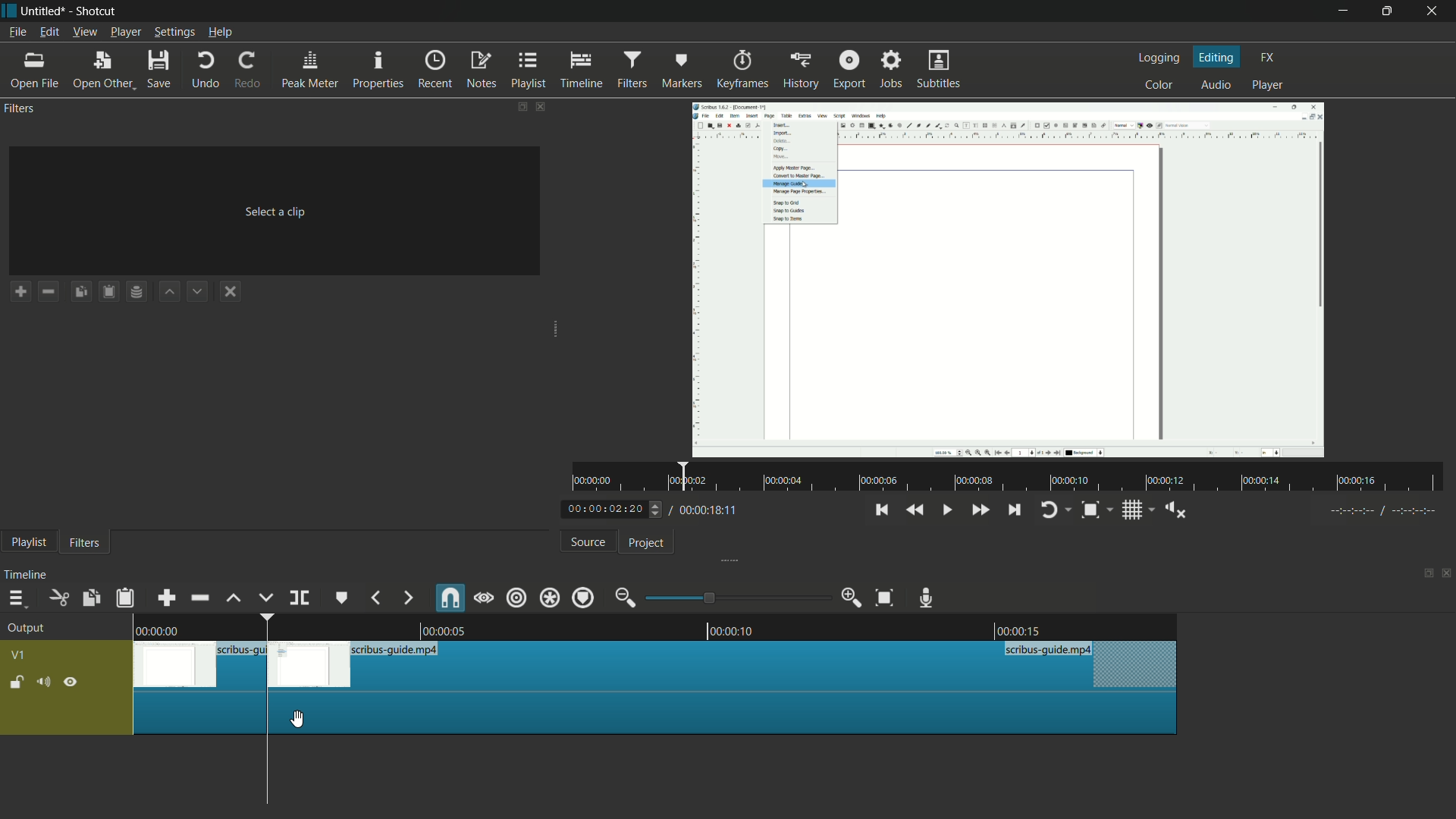  What do you see at coordinates (168, 291) in the screenshot?
I see `move filter up` at bounding box center [168, 291].